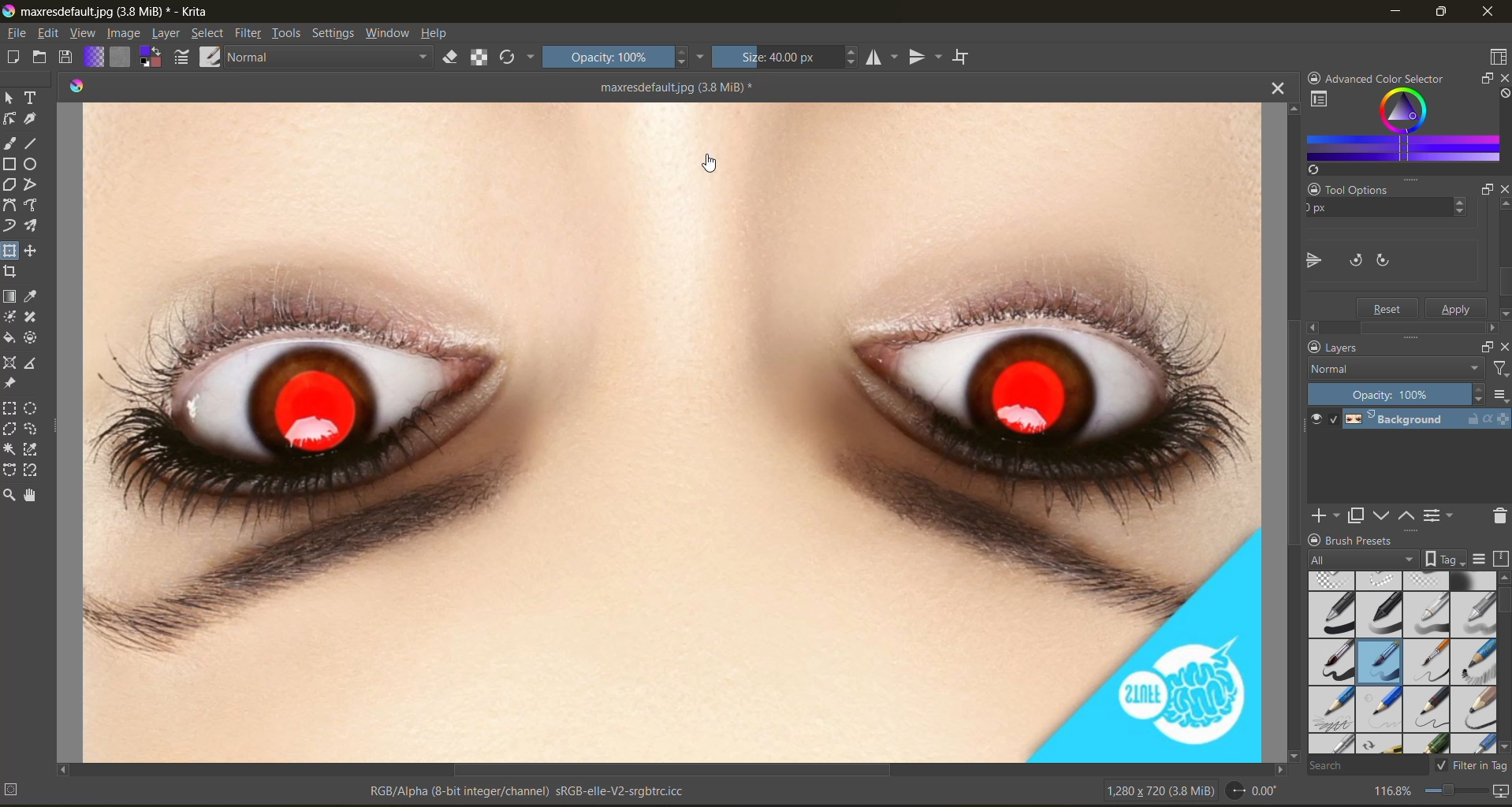  Describe the element at coordinates (1394, 369) in the screenshot. I see `normal` at that location.